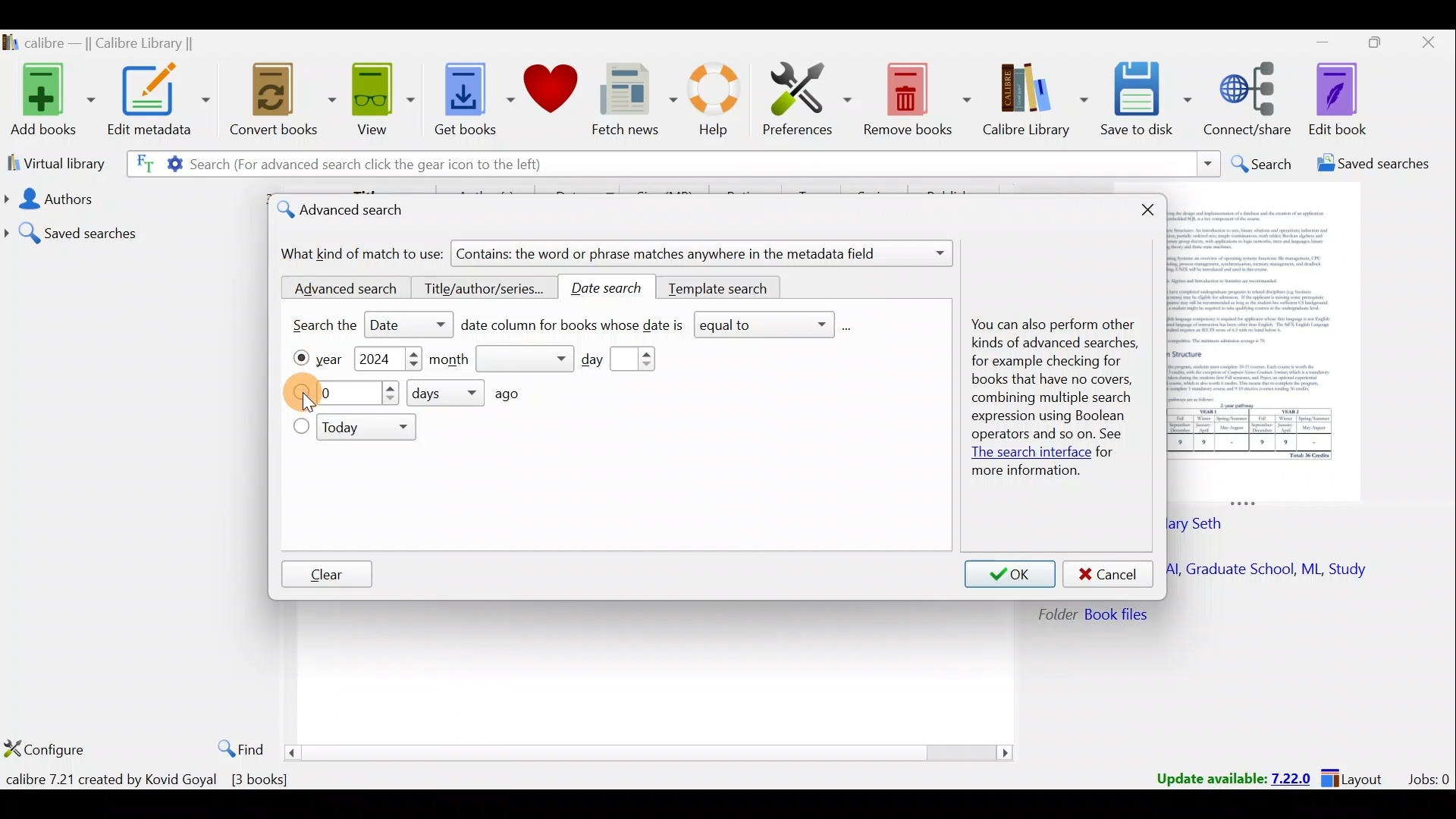 This screenshot has width=1456, height=819. Describe the element at coordinates (773, 326) in the screenshot. I see `equal to` at that location.